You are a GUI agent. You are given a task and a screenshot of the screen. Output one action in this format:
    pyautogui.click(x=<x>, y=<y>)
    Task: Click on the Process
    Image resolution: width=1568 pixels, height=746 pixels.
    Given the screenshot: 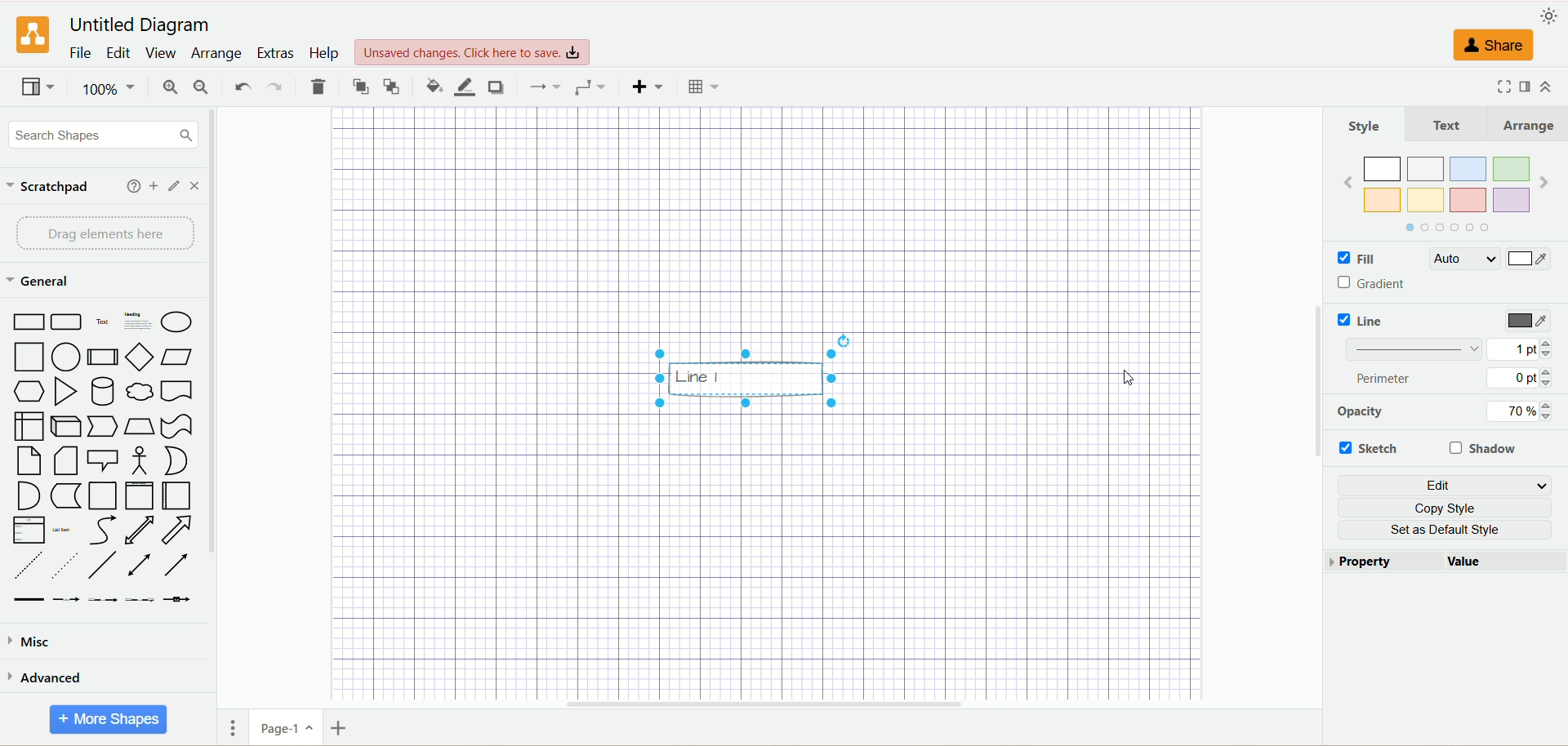 What is the action you would take?
    pyautogui.click(x=101, y=357)
    